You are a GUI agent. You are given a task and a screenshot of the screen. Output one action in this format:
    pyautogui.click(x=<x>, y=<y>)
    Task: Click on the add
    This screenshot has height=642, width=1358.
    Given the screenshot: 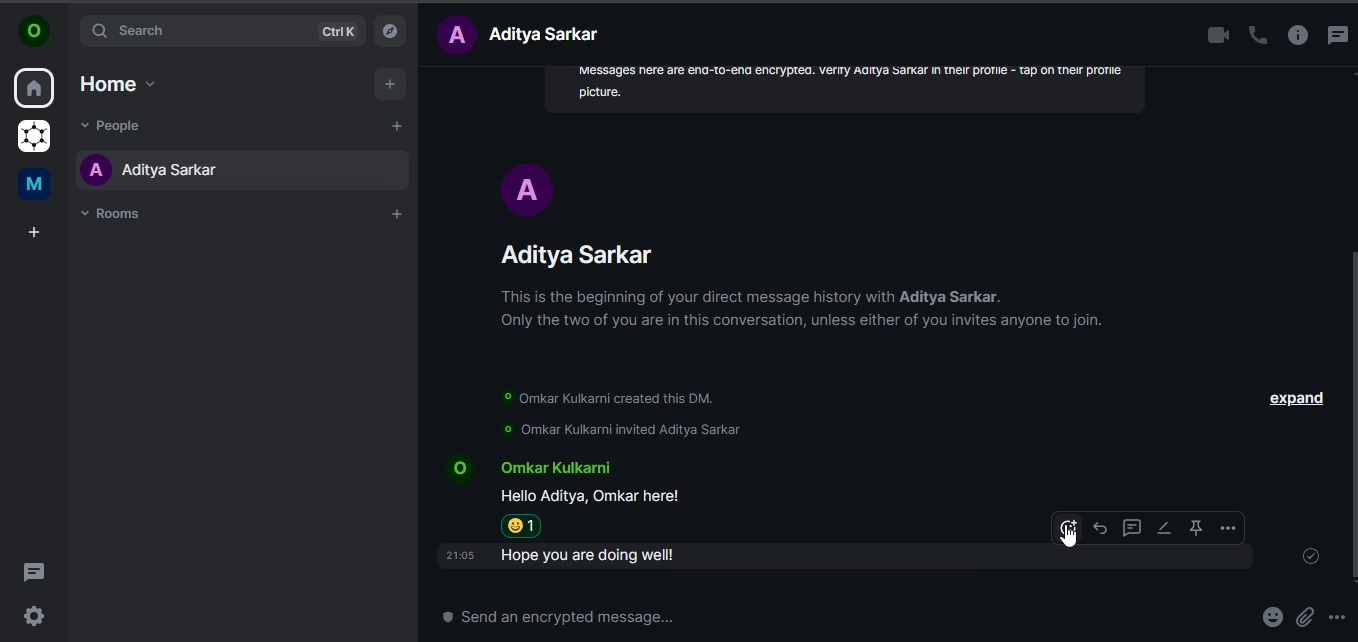 What is the action you would take?
    pyautogui.click(x=391, y=83)
    